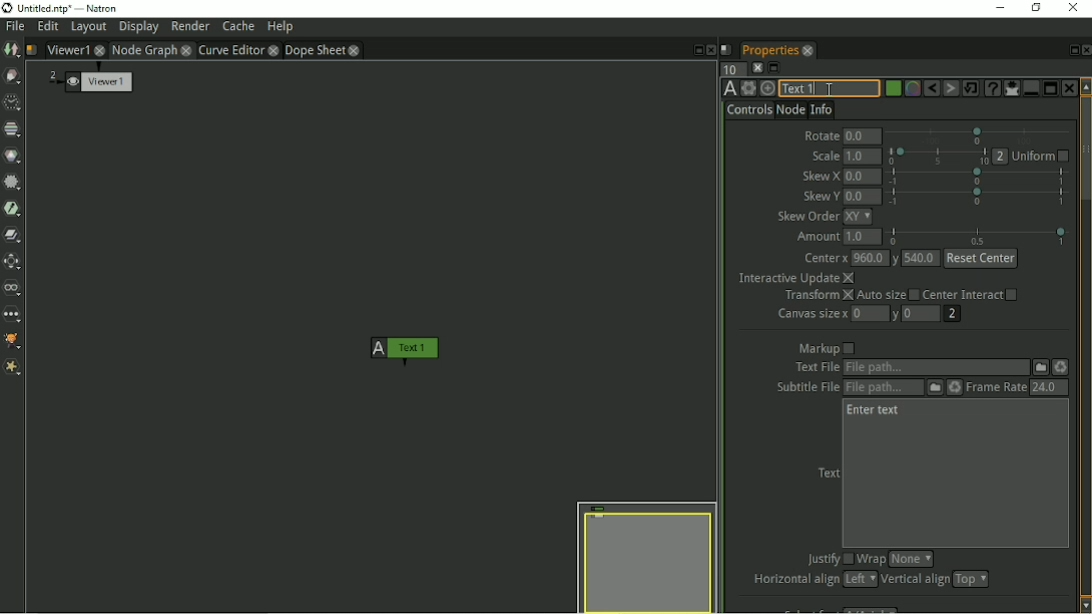 This screenshot has width=1092, height=614. What do you see at coordinates (912, 89) in the screenshot?
I see `Overlay color` at bounding box center [912, 89].